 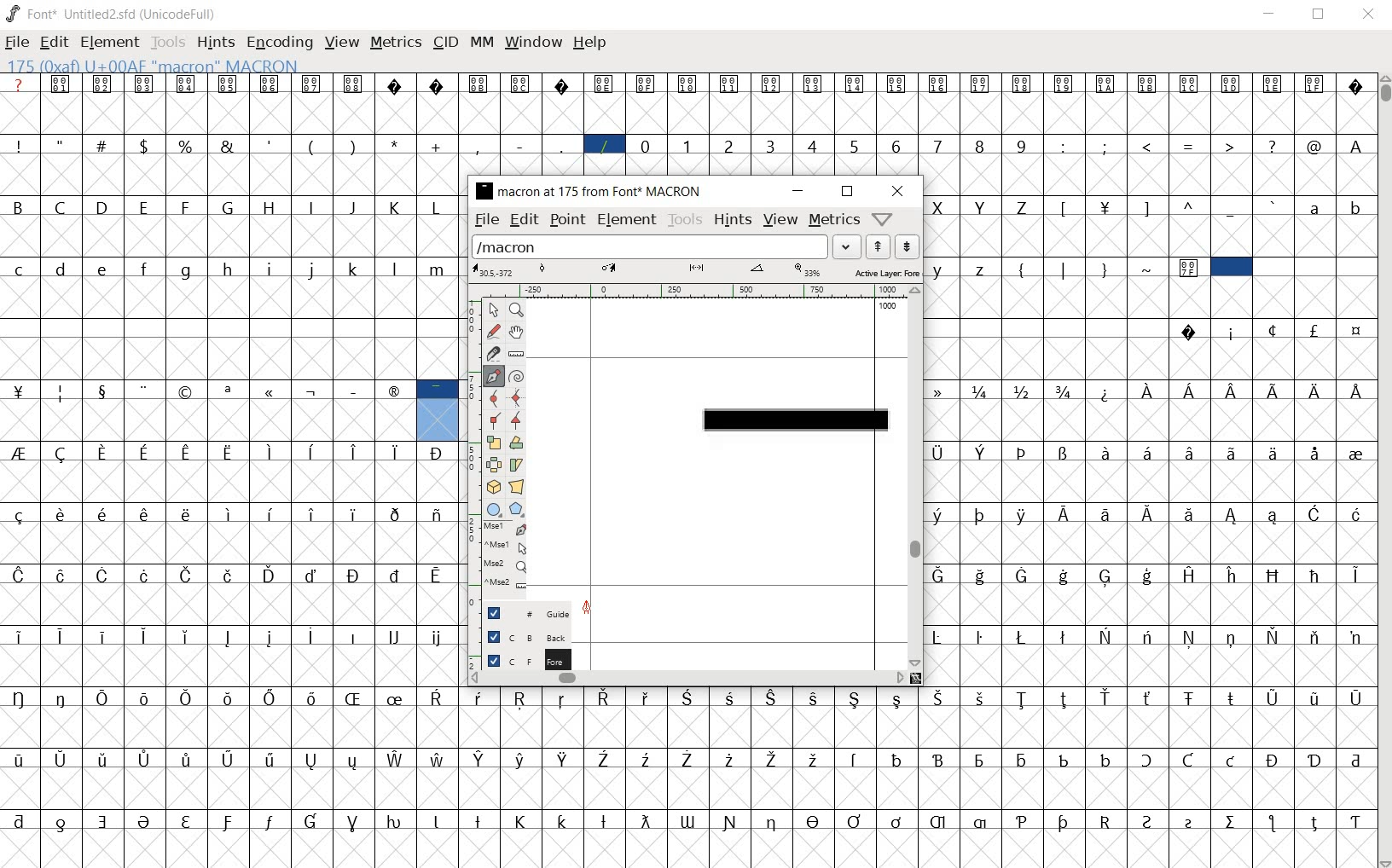 What do you see at coordinates (270, 146) in the screenshot?
I see `'` at bounding box center [270, 146].